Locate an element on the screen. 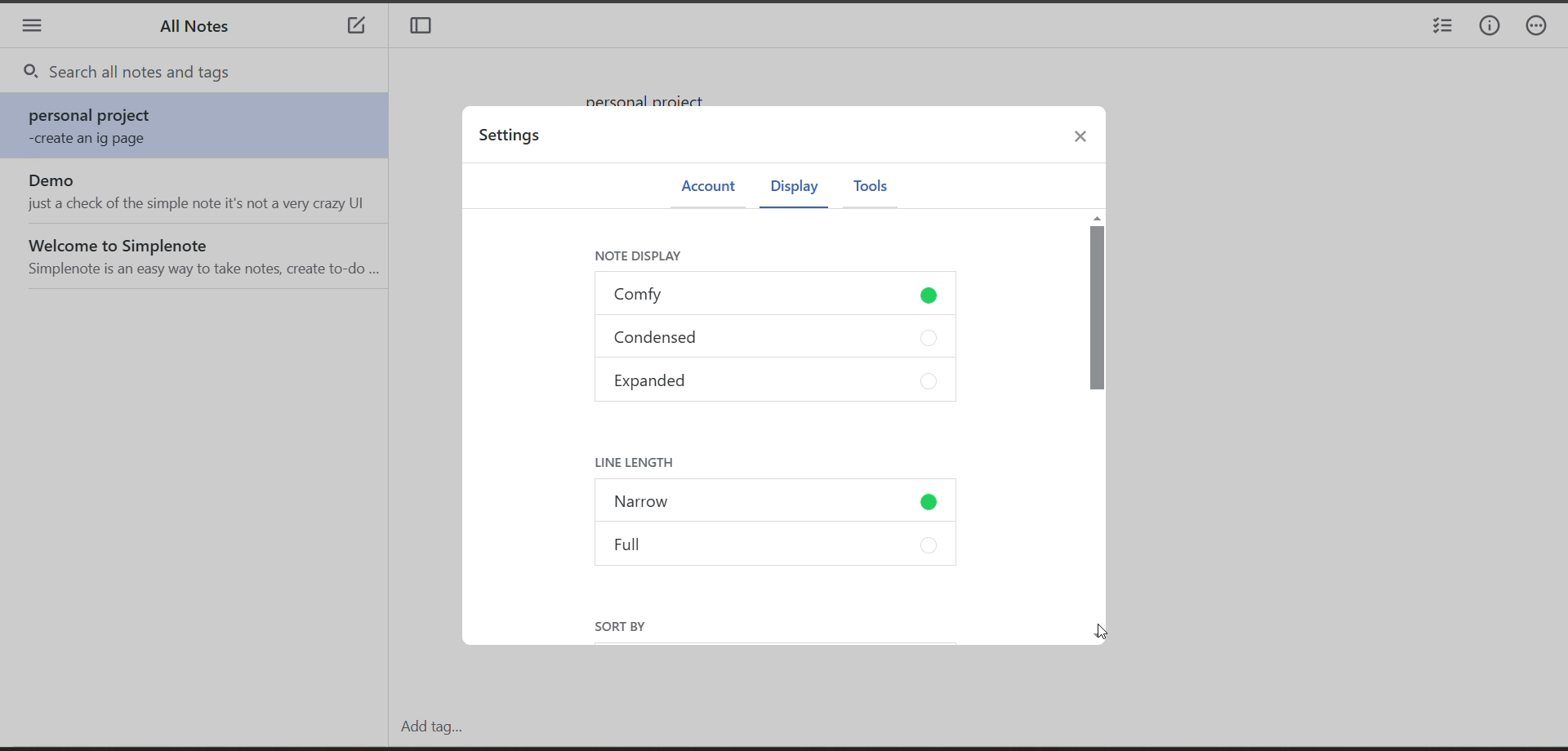 Image resolution: width=1568 pixels, height=751 pixels. data in current notes is located at coordinates (656, 94).